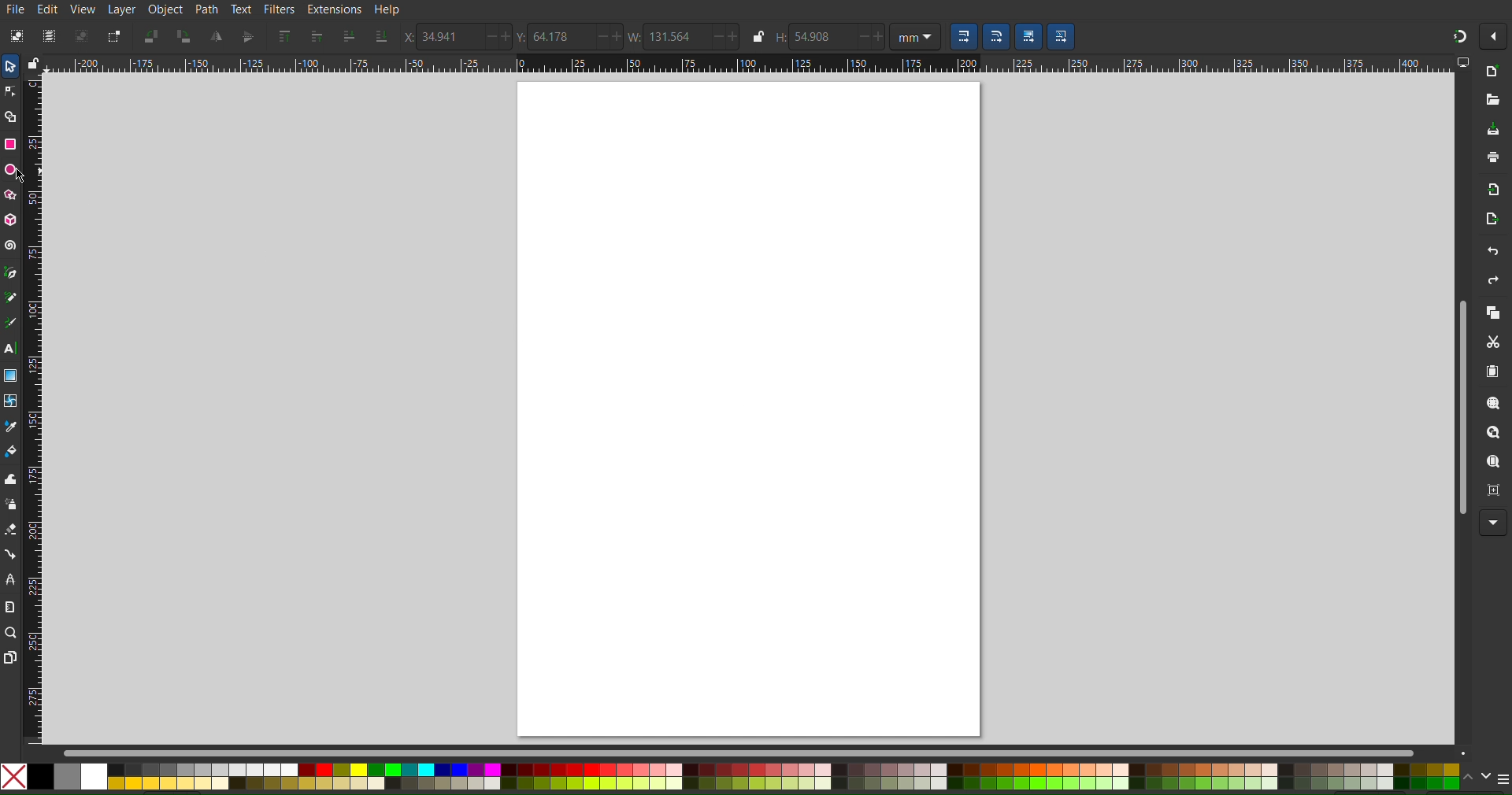 The image size is (1512, 795). I want to click on Save, so click(1492, 126).